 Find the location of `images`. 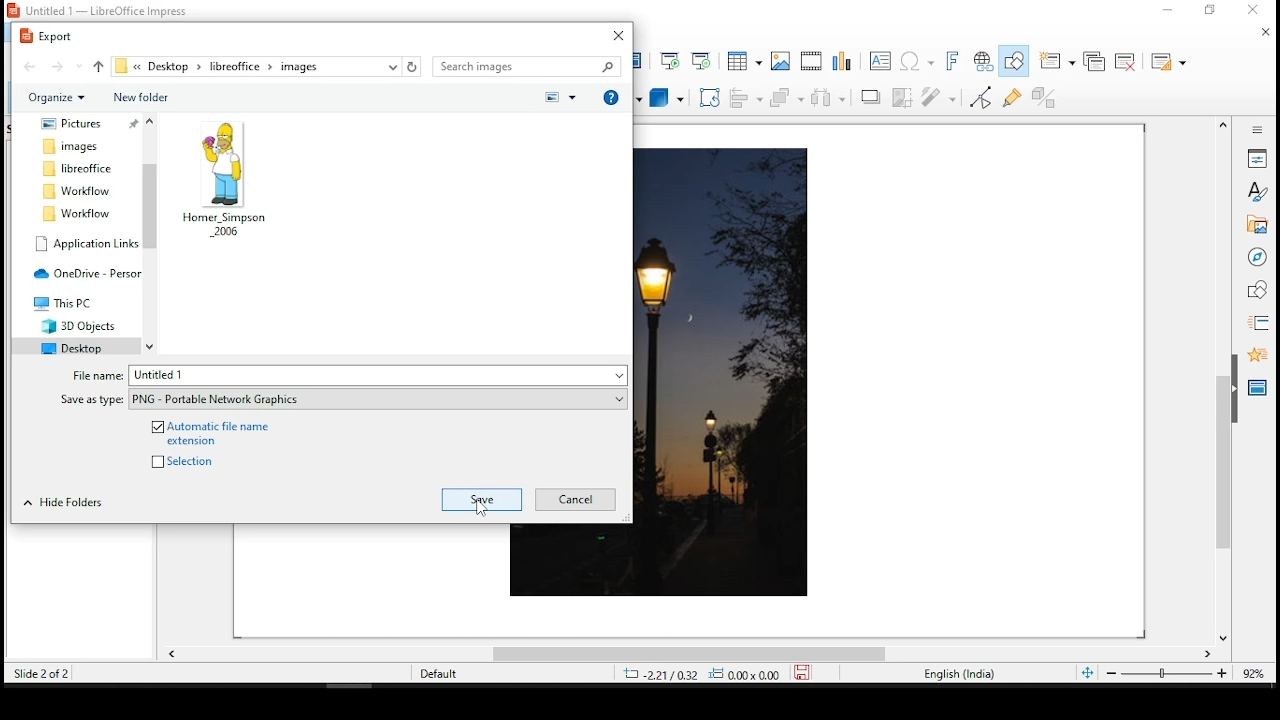

images is located at coordinates (779, 59).